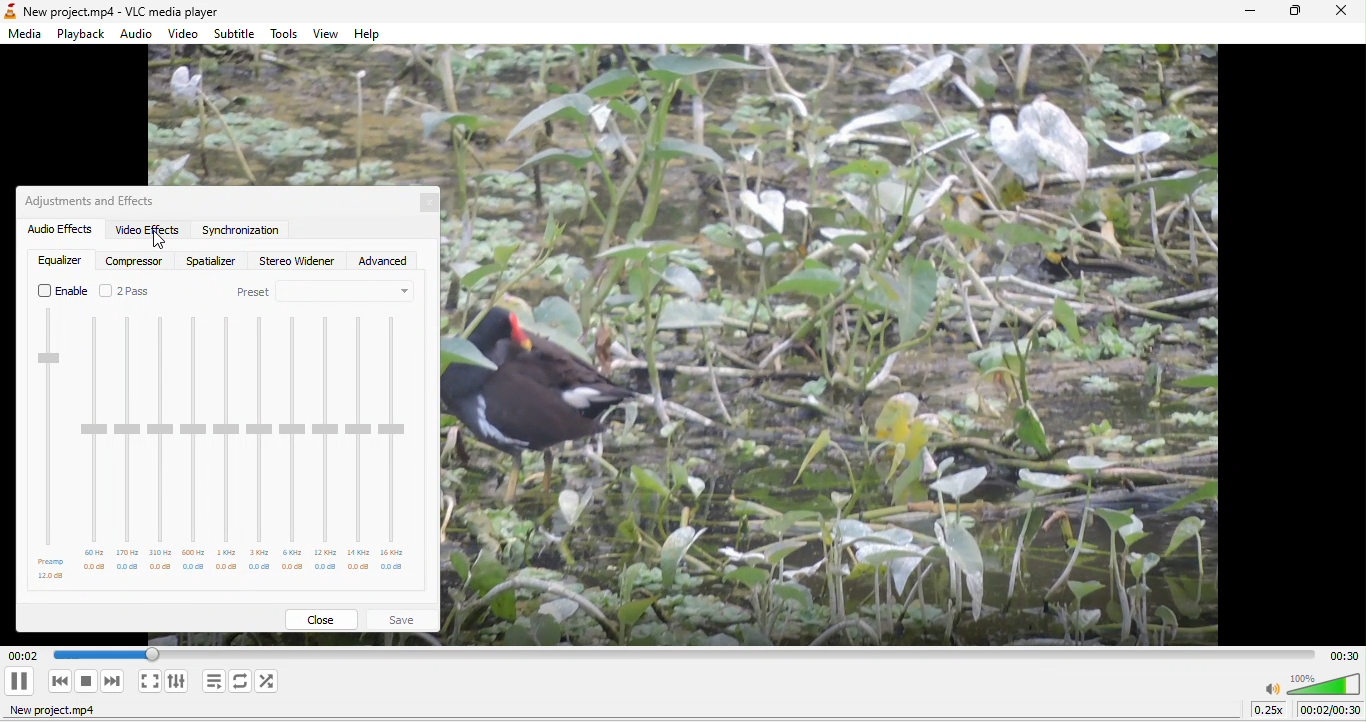 The width and height of the screenshot is (1366, 722). What do you see at coordinates (137, 262) in the screenshot?
I see `compressor` at bounding box center [137, 262].